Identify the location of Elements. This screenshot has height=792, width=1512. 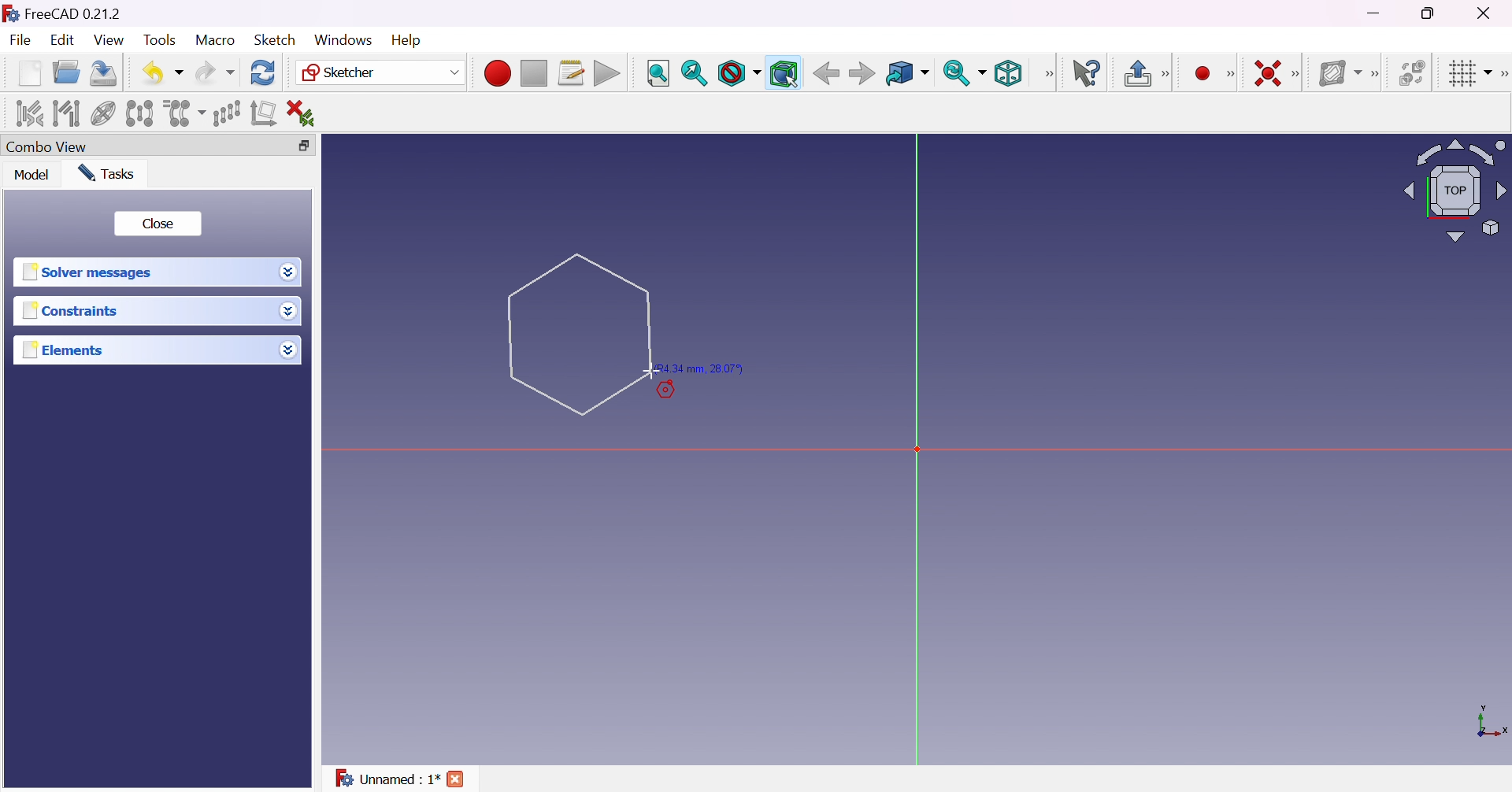
(66, 350).